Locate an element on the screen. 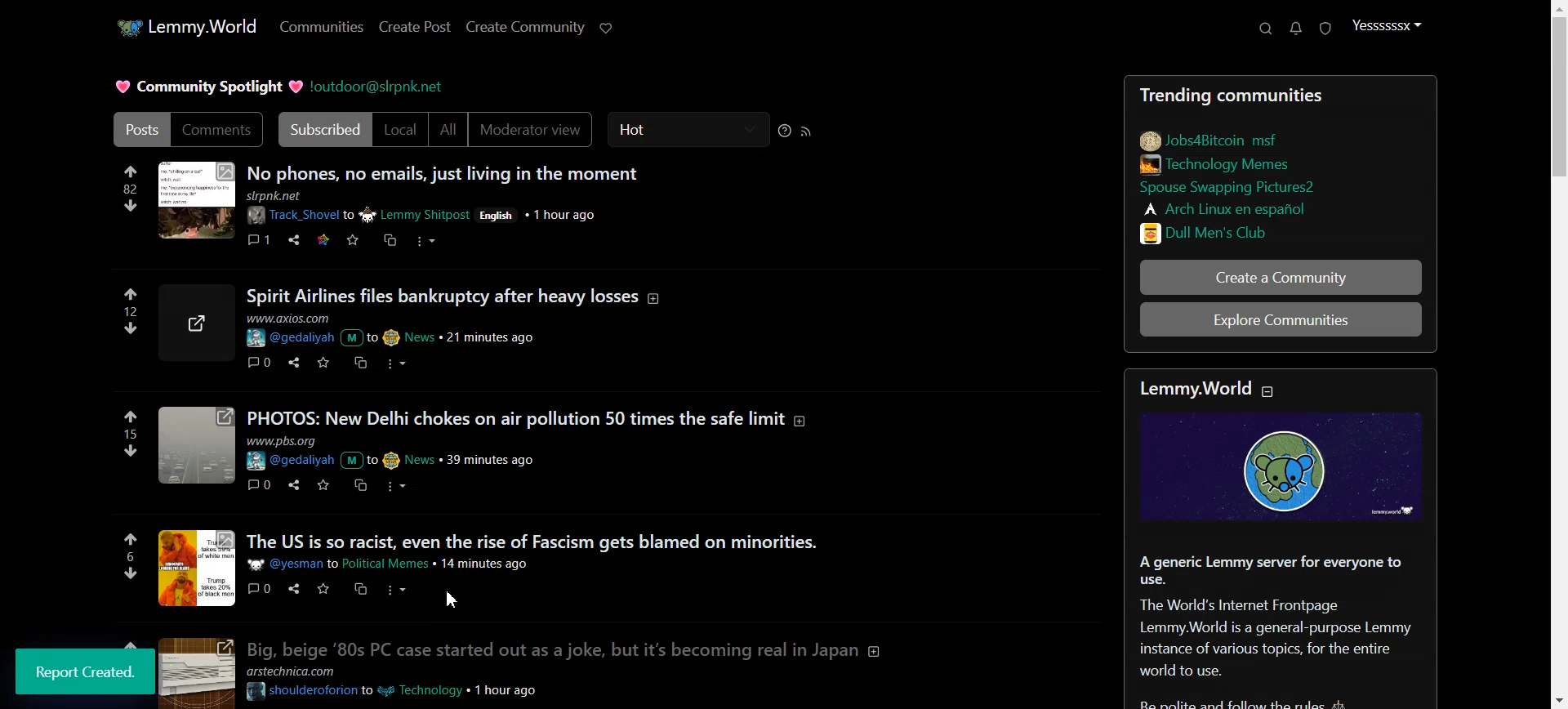 The width and height of the screenshot is (1568, 709). more is located at coordinates (399, 590).